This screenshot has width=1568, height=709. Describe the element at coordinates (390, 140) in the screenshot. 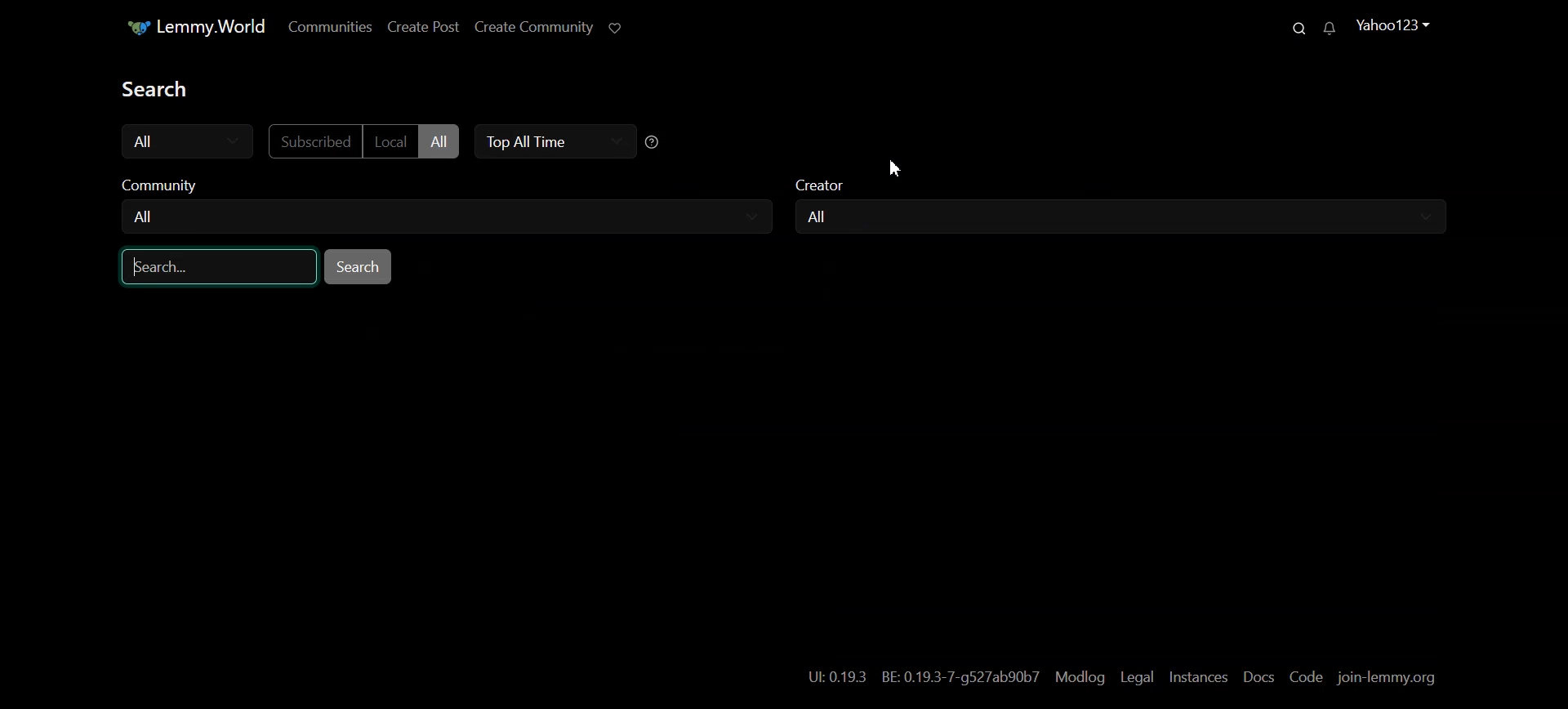

I see `Local` at that location.